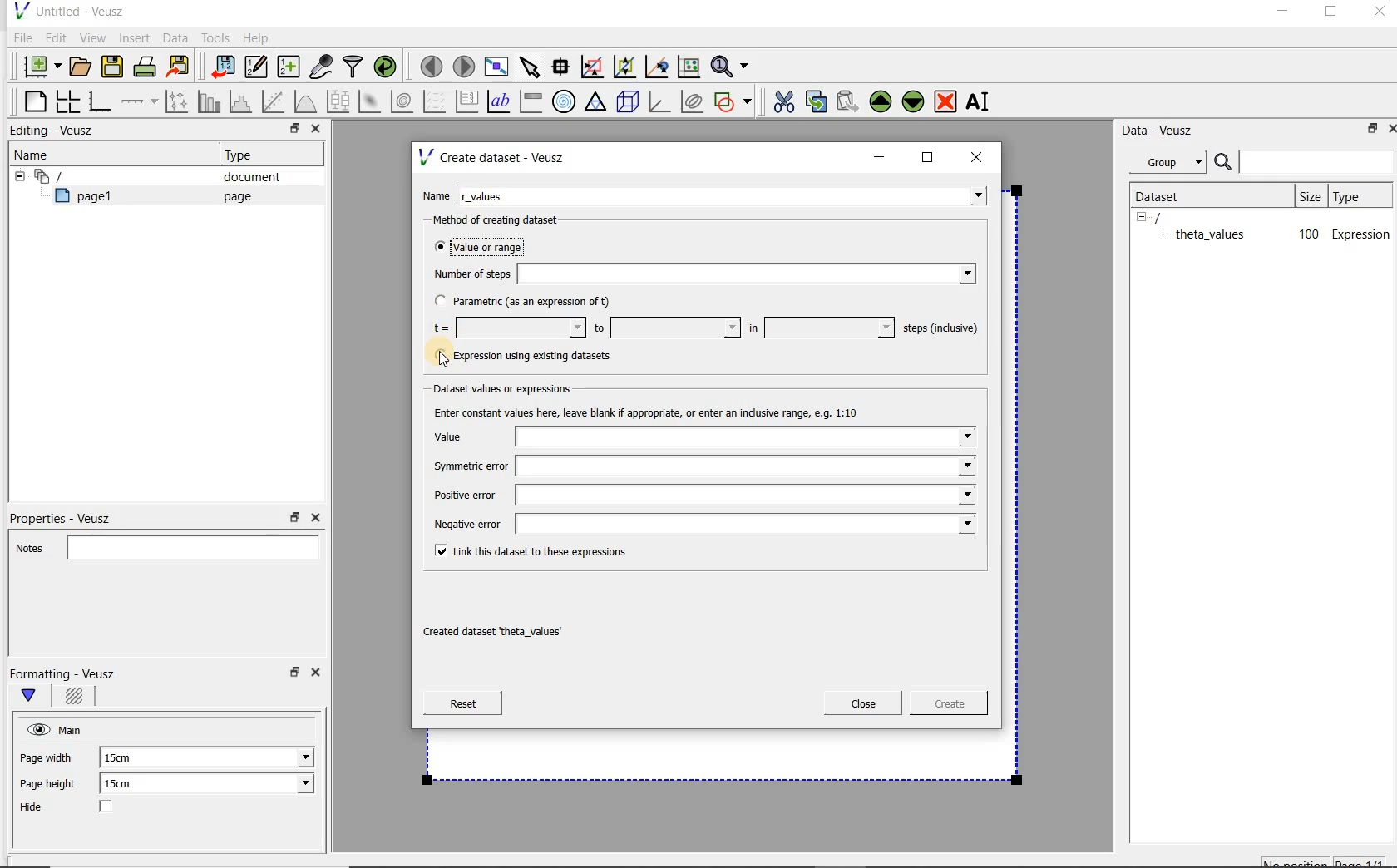  Describe the element at coordinates (295, 518) in the screenshot. I see `restore down` at that location.